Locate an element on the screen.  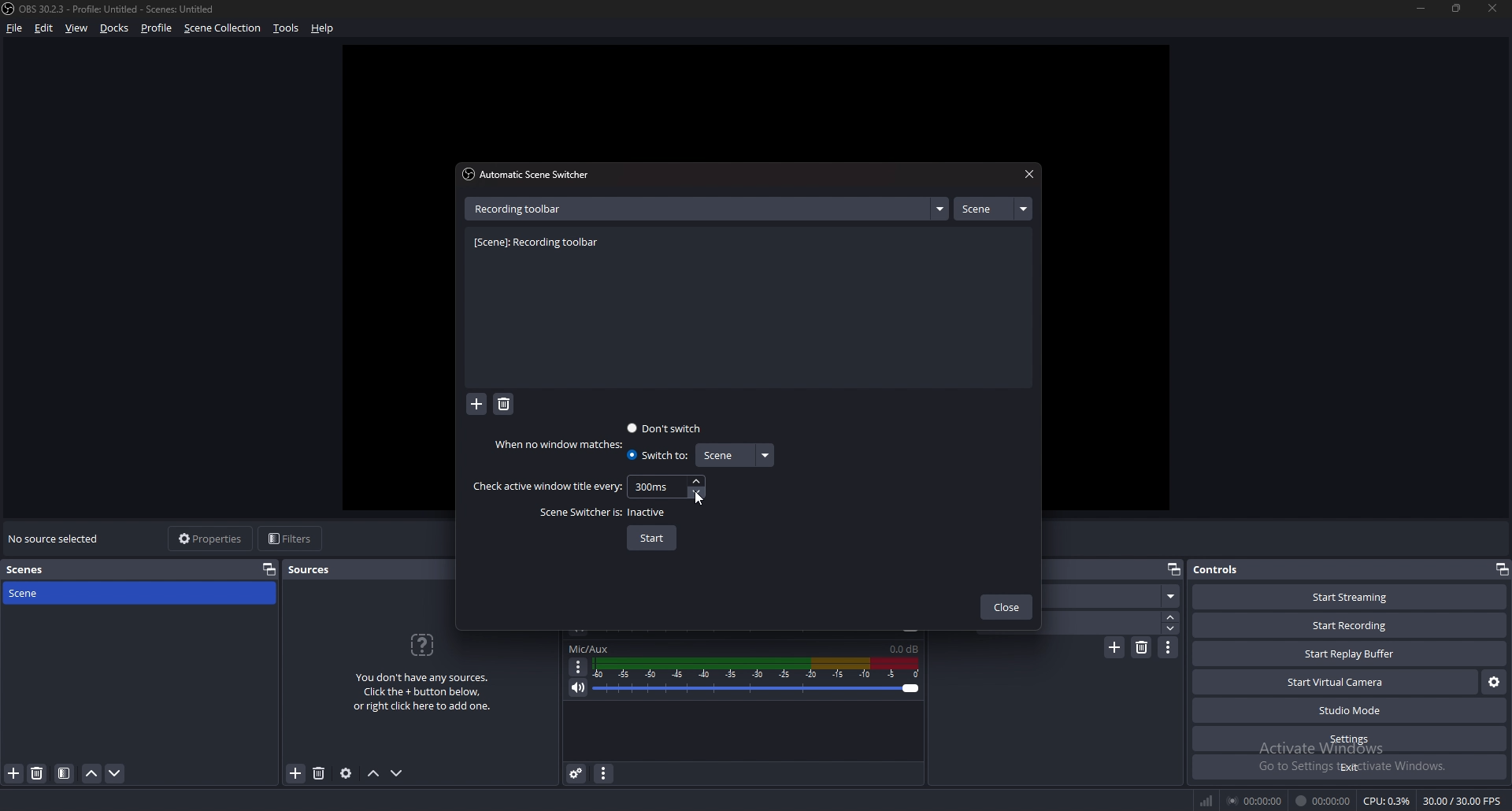
profile is located at coordinates (157, 28).